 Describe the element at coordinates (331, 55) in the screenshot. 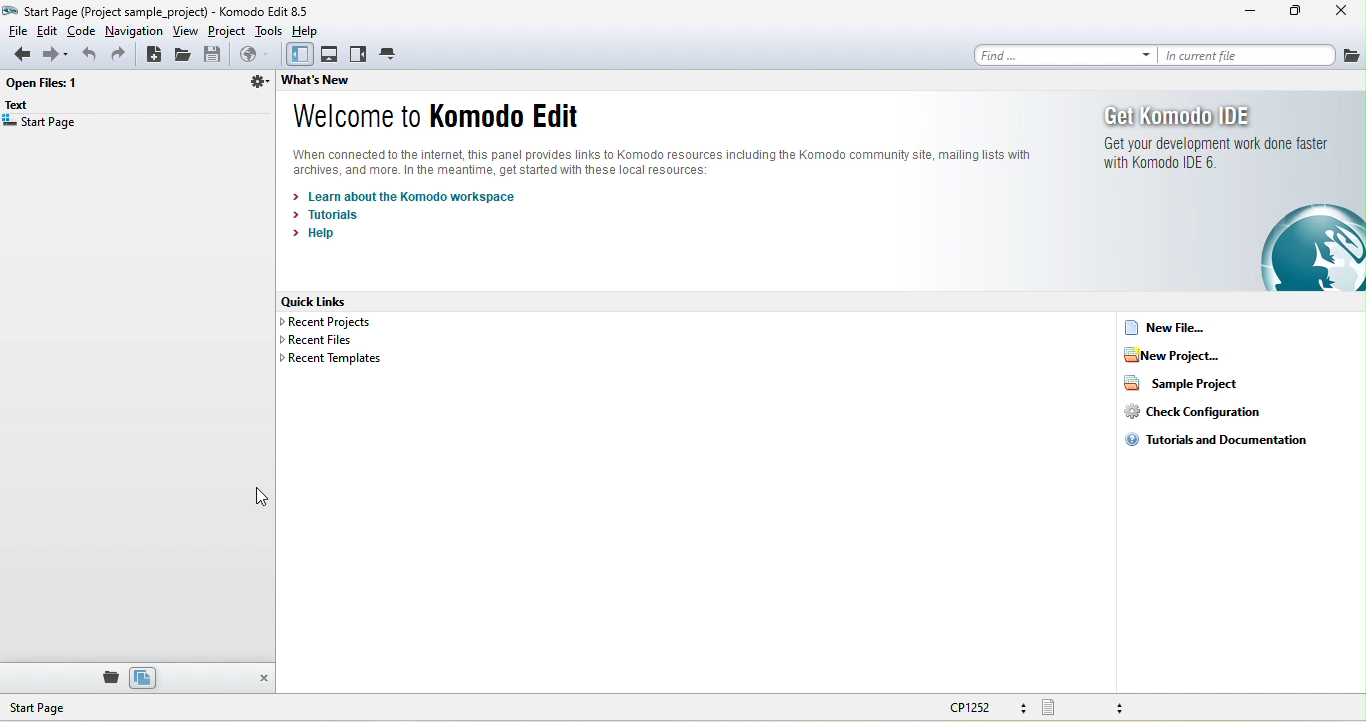

I see `bottom pane` at that location.